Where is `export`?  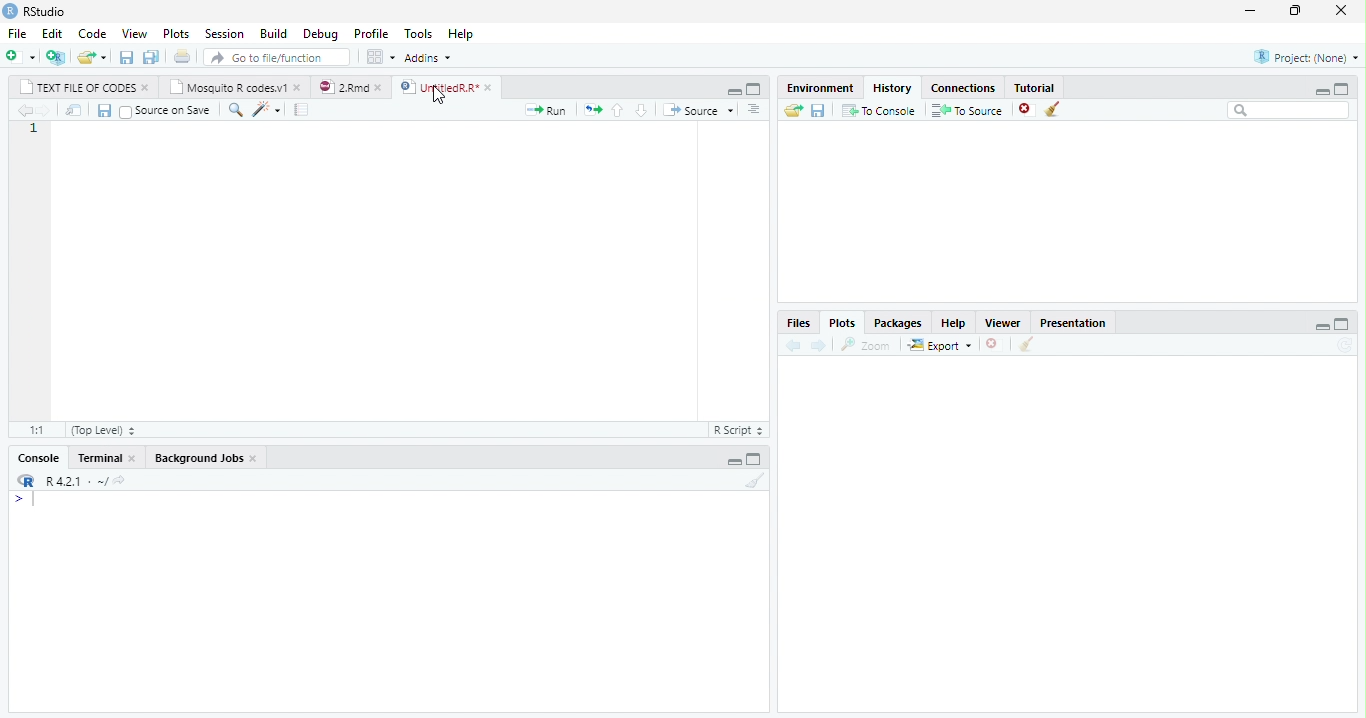 export is located at coordinates (936, 345).